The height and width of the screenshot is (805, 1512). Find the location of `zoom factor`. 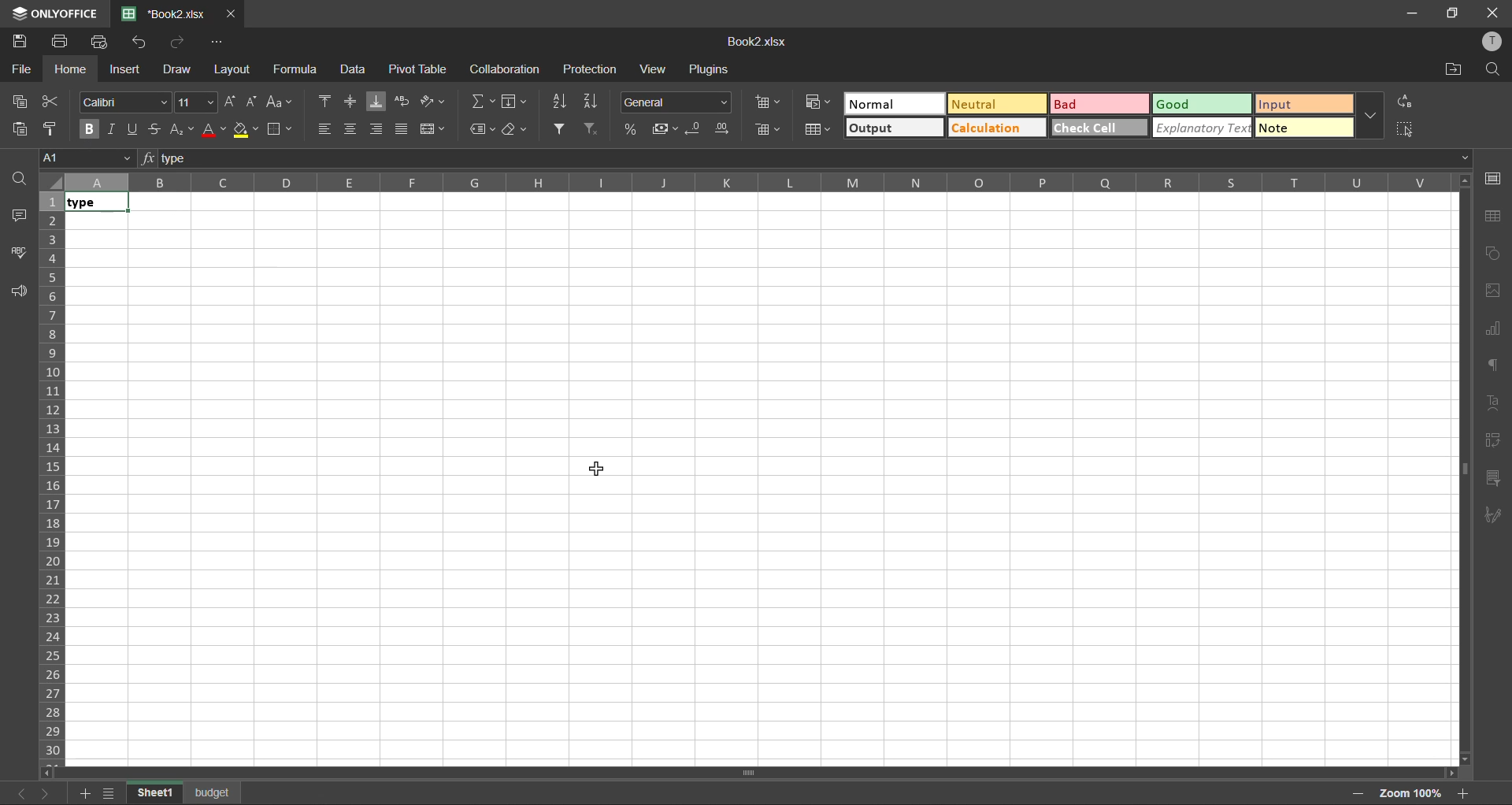

zoom factor is located at coordinates (1413, 795).